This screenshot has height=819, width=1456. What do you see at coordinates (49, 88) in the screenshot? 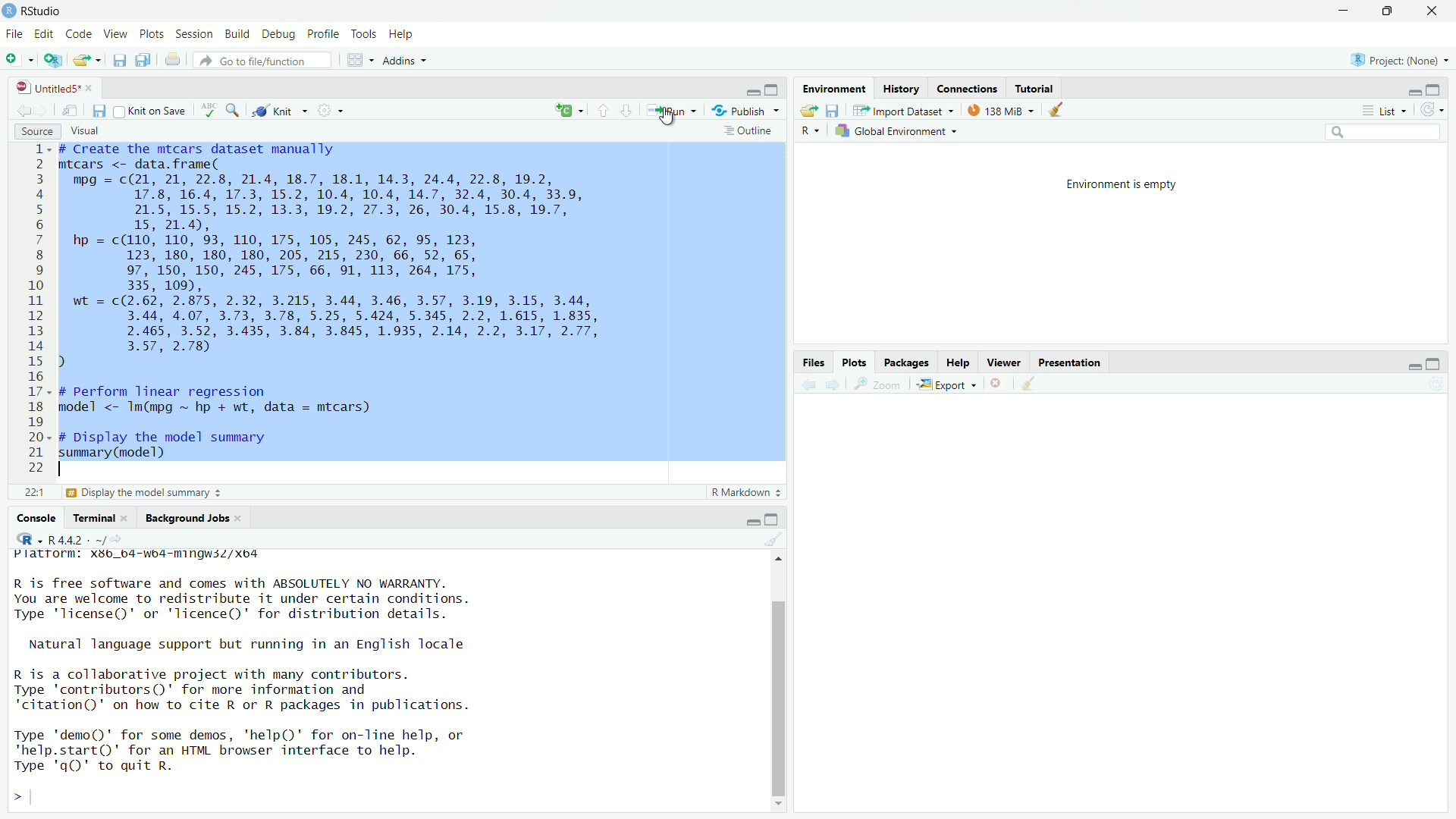
I see `Untitled5` at bounding box center [49, 88].